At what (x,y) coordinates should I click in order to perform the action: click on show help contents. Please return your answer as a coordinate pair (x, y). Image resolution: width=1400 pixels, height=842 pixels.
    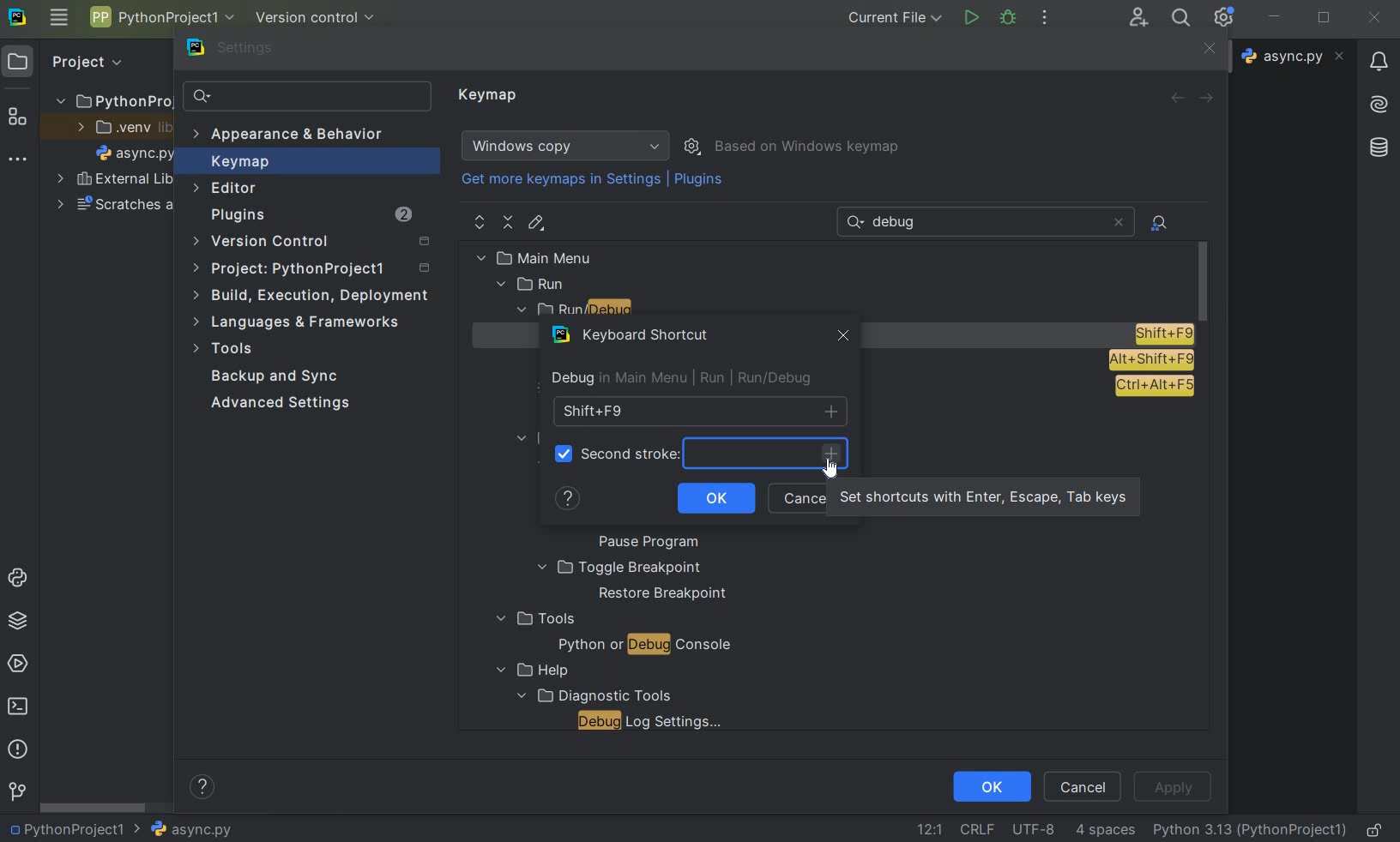
    Looking at the image, I should click on (202, 790).